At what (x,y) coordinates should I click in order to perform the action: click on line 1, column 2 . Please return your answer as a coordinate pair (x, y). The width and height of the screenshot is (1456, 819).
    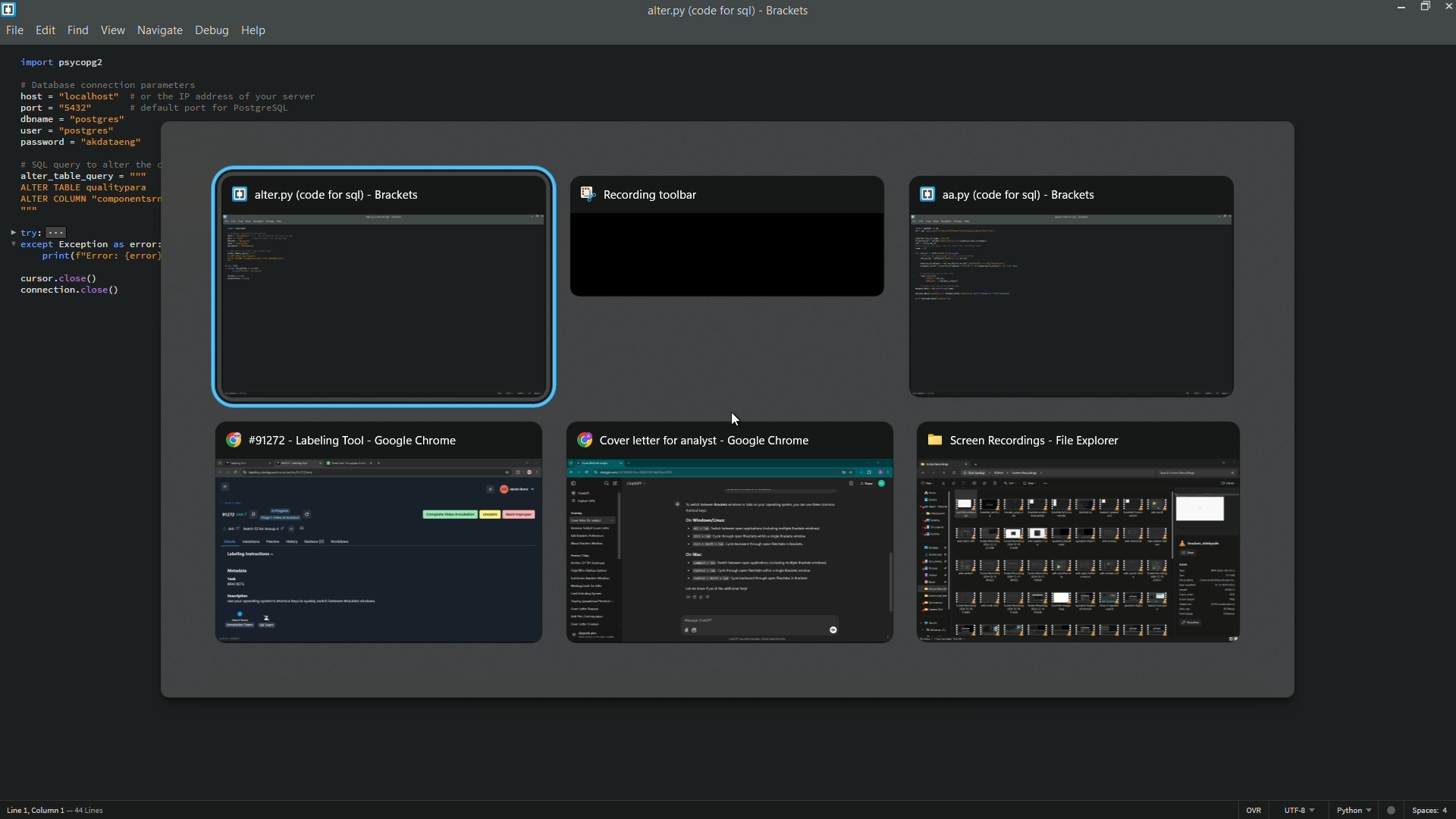
    Looking at the image, I should click on (33, 812).